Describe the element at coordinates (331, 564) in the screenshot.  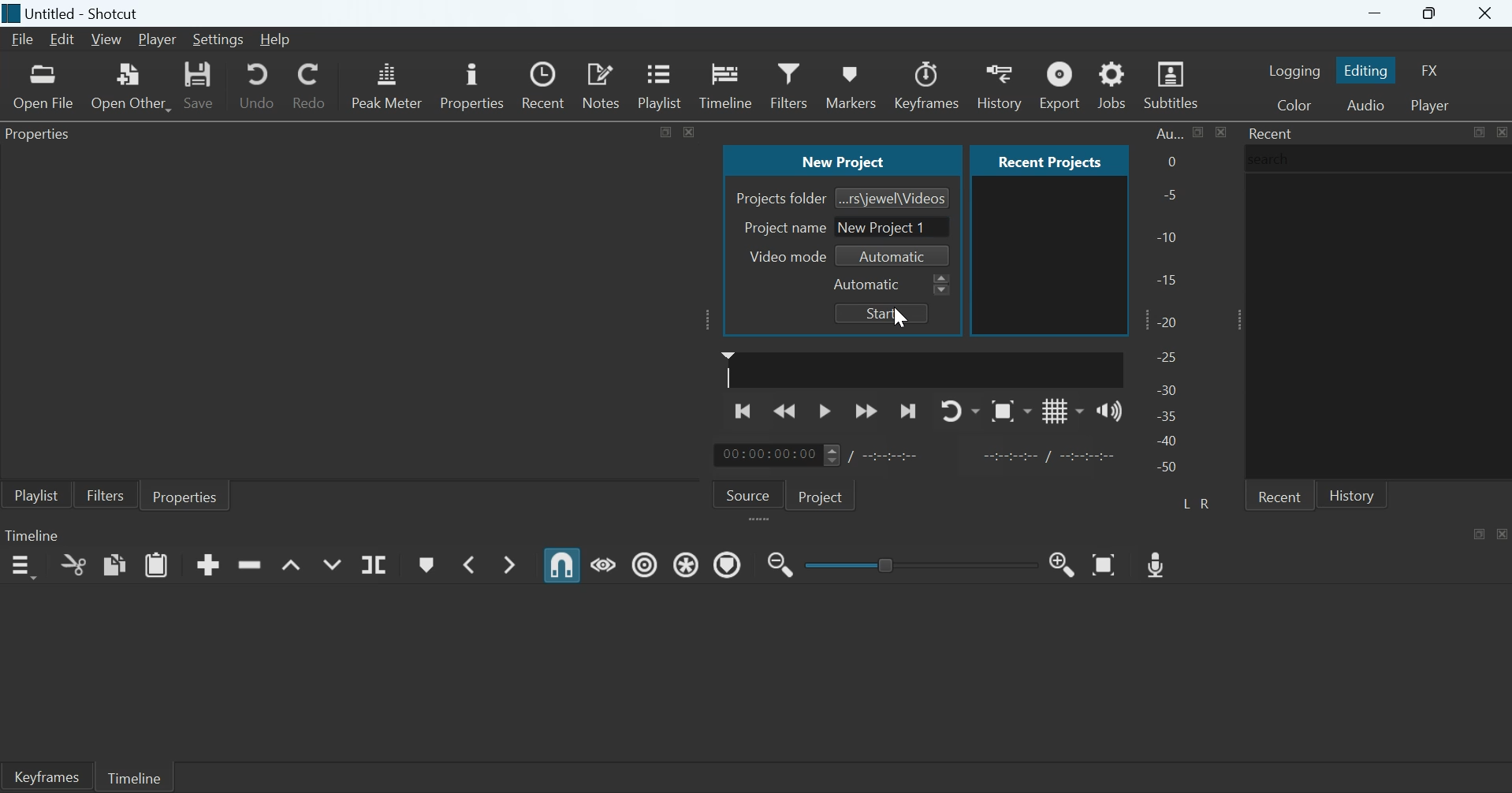
I see `Overwrite` at that location.